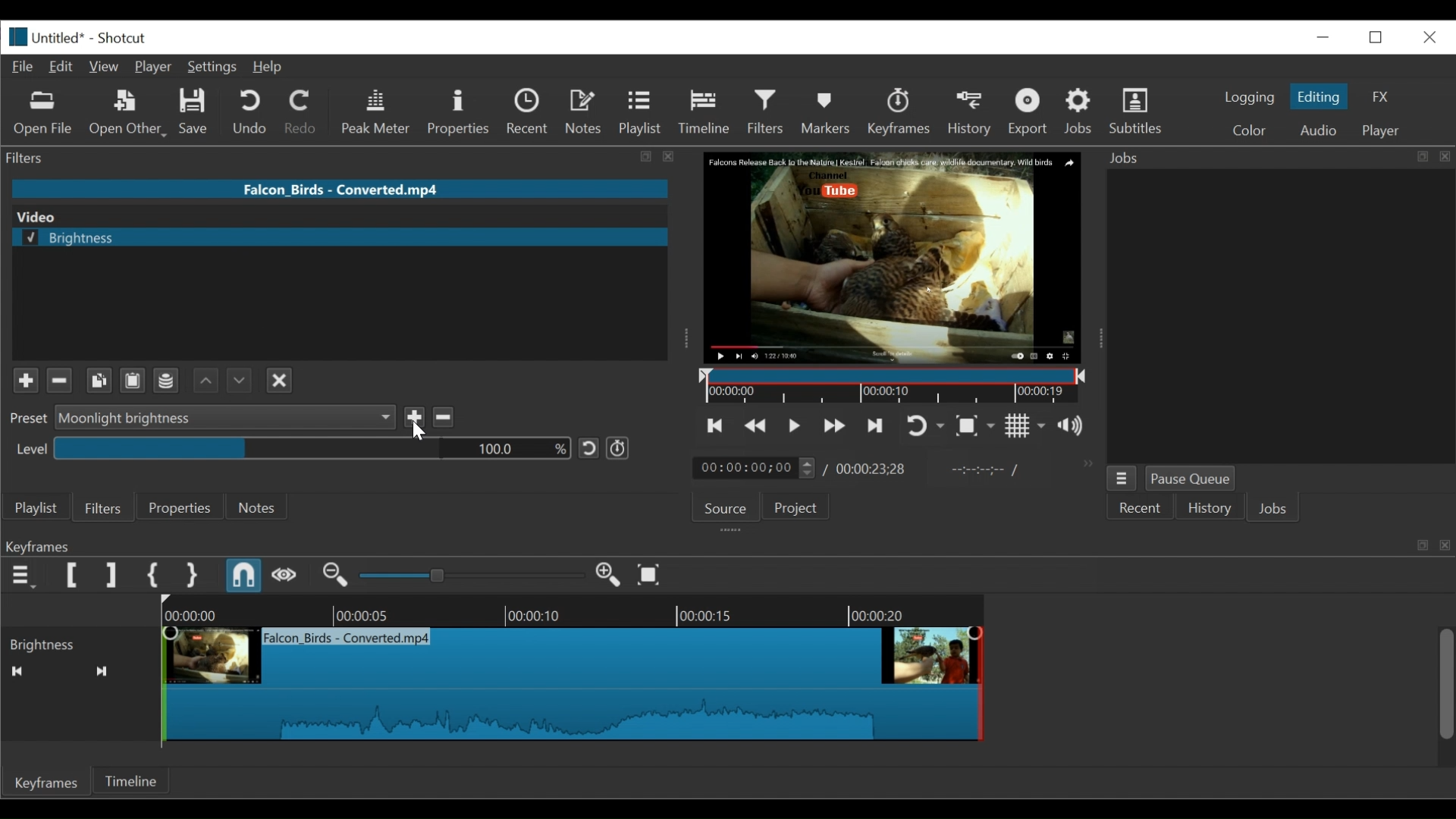 The width and height of the screenshot is (1456, 819). I want to click on Recent, so click(529, 112).